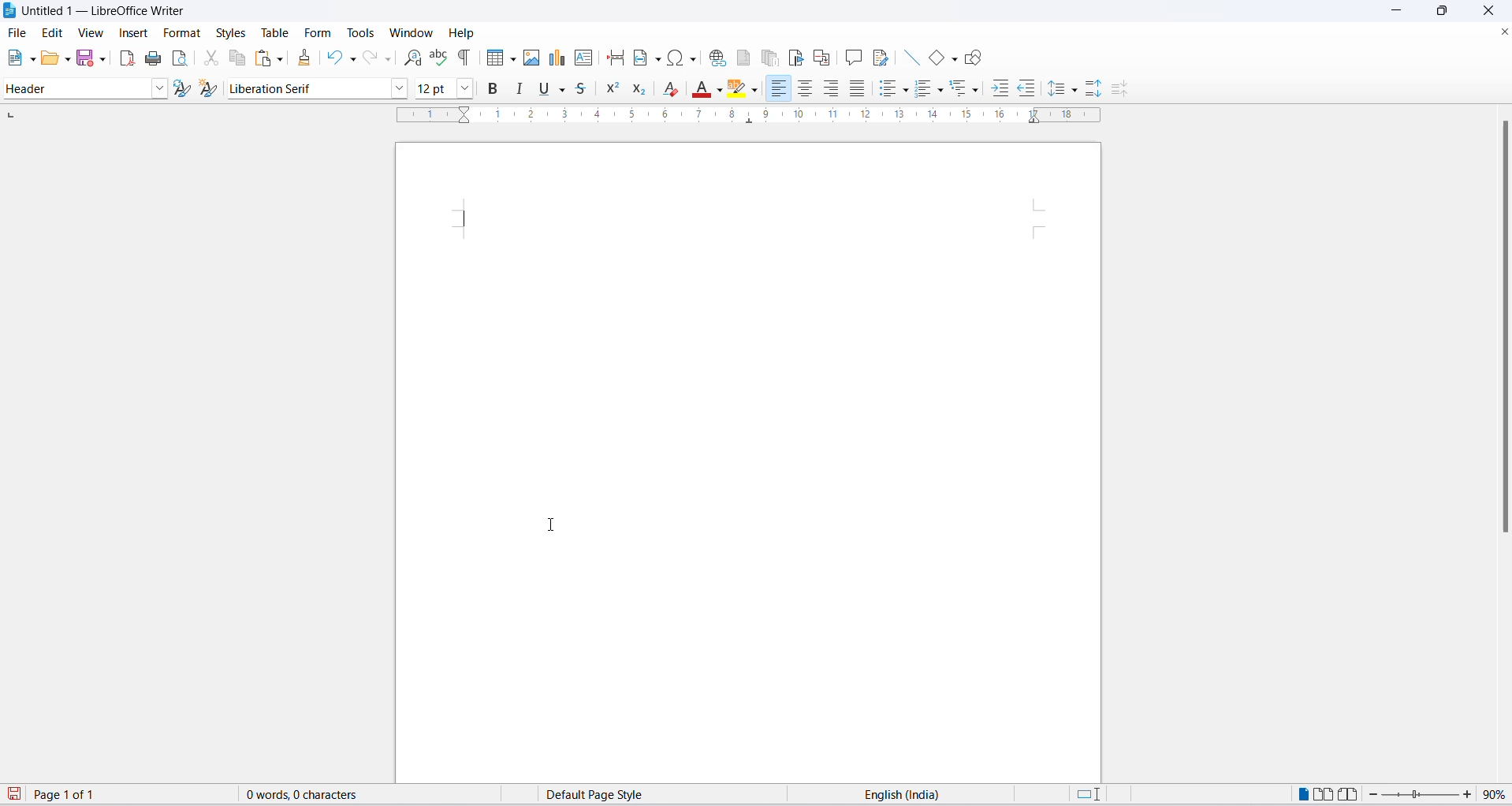  What do you see at coordinates (879, 57) in the screenshot?
I see `show track changes functions` at bounding box center [879, 57].